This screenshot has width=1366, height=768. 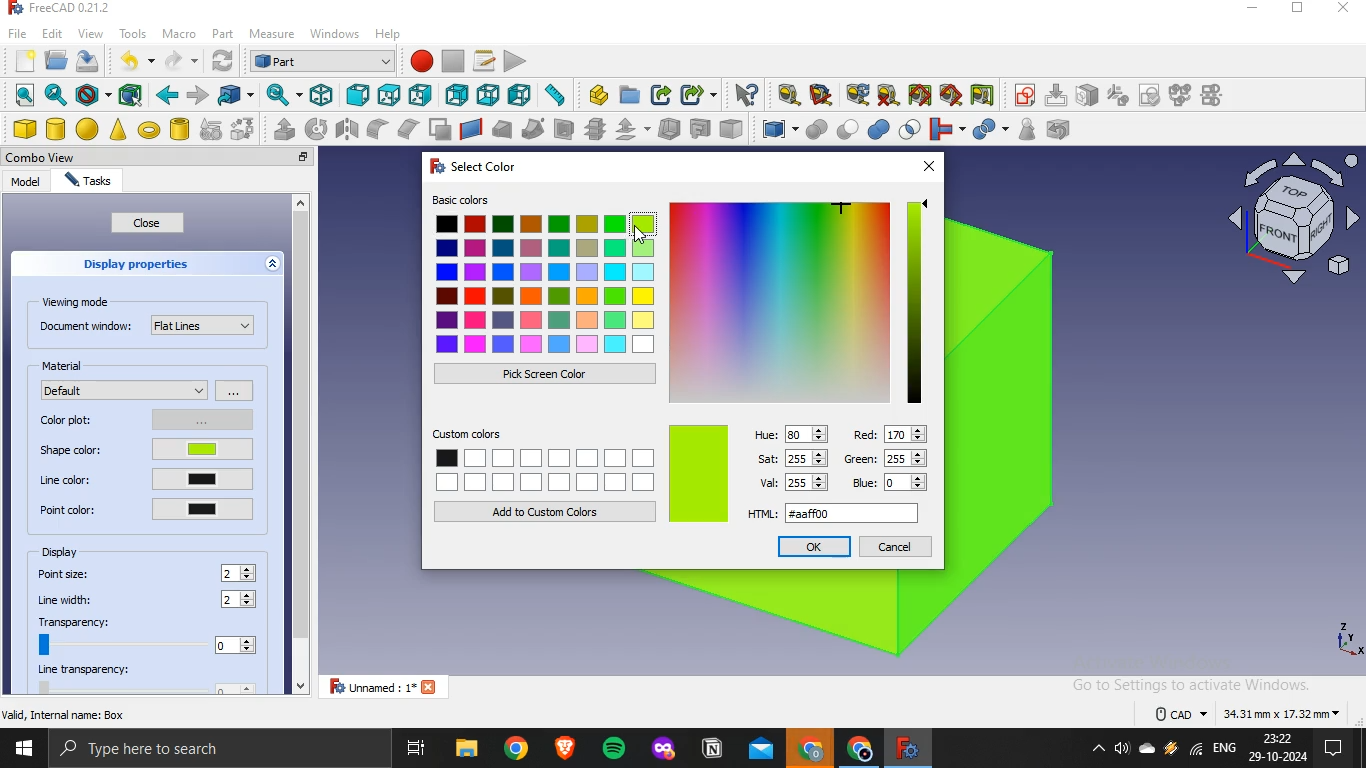 I want to click on add to custom colors, so click(x=546, y=511).